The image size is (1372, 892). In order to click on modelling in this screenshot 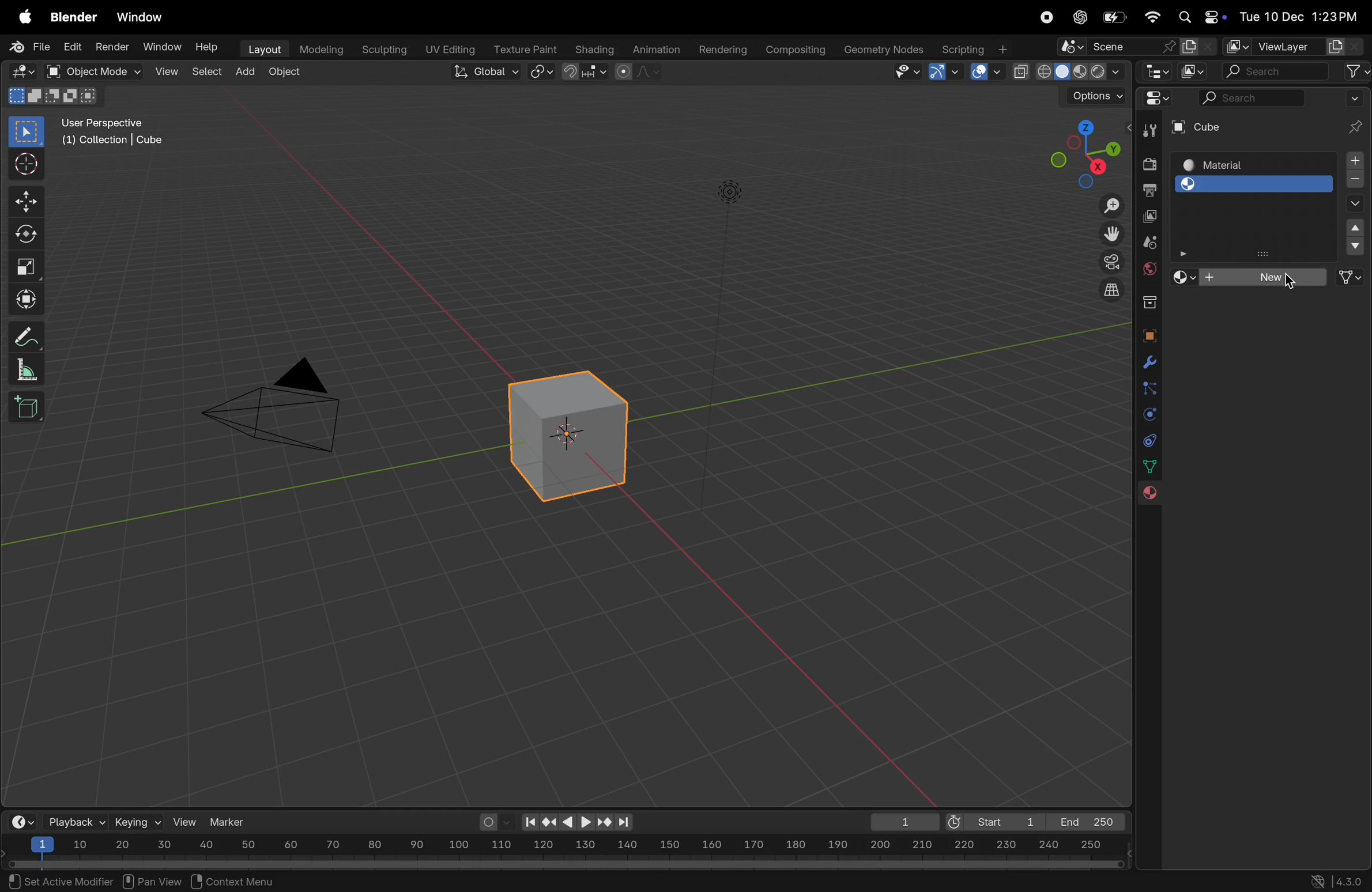, I will do `click(320, 48)`.